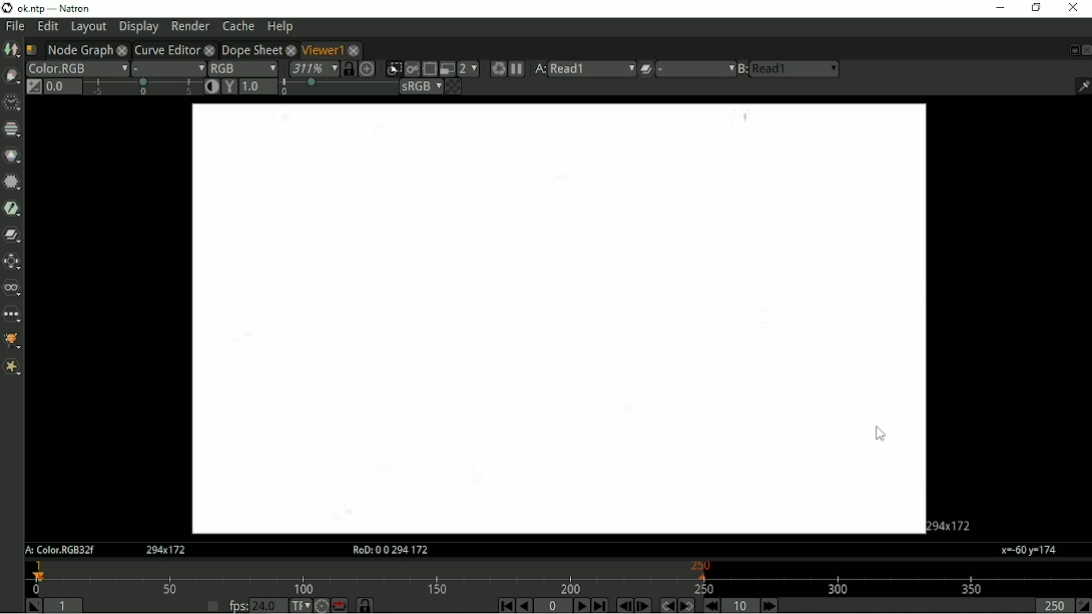 The width and height of the screenshot is (1092, 614). I want to click on Render, so click(191, 26).